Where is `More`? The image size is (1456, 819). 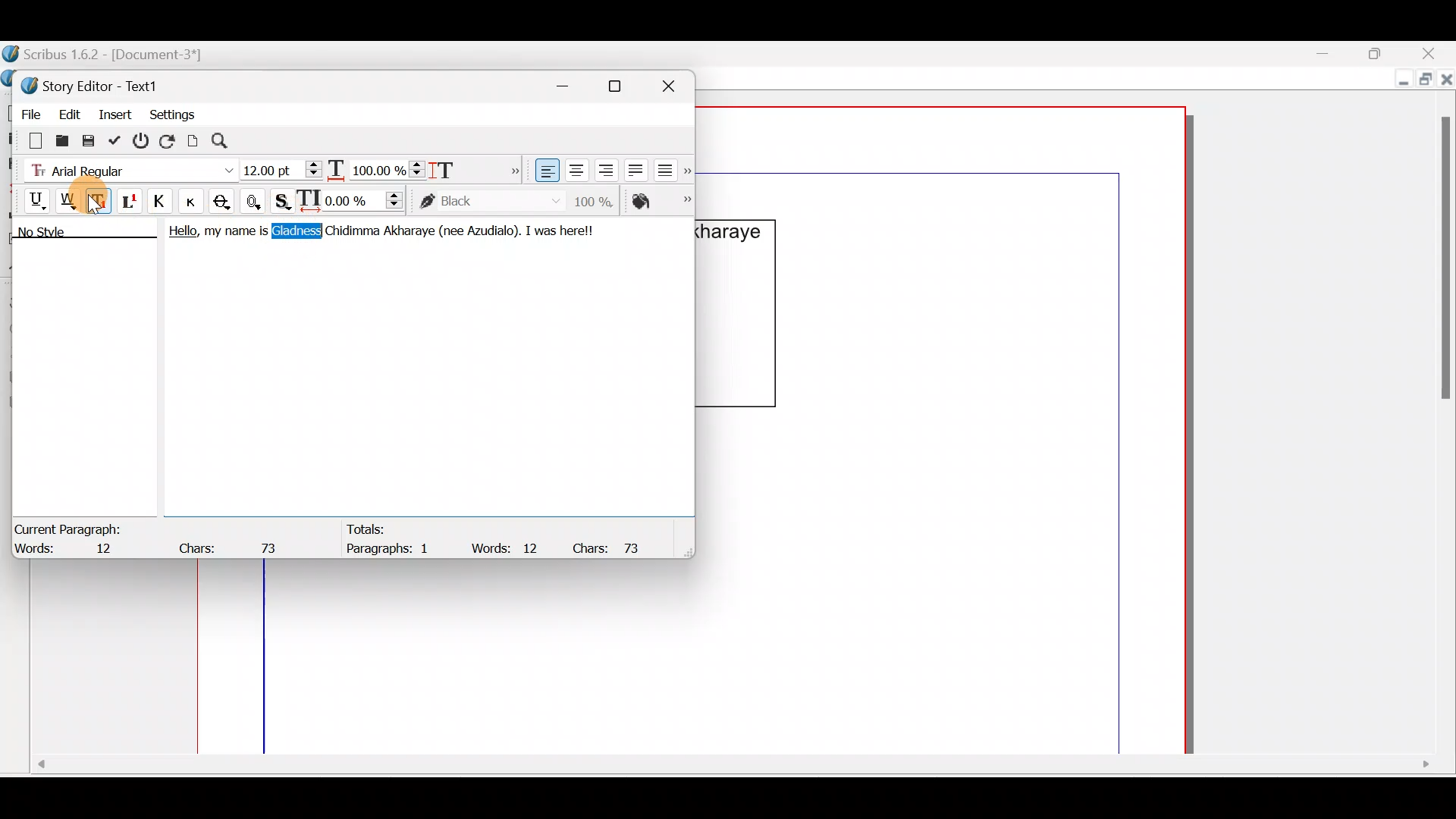
More is located at coordinates (511, 168).